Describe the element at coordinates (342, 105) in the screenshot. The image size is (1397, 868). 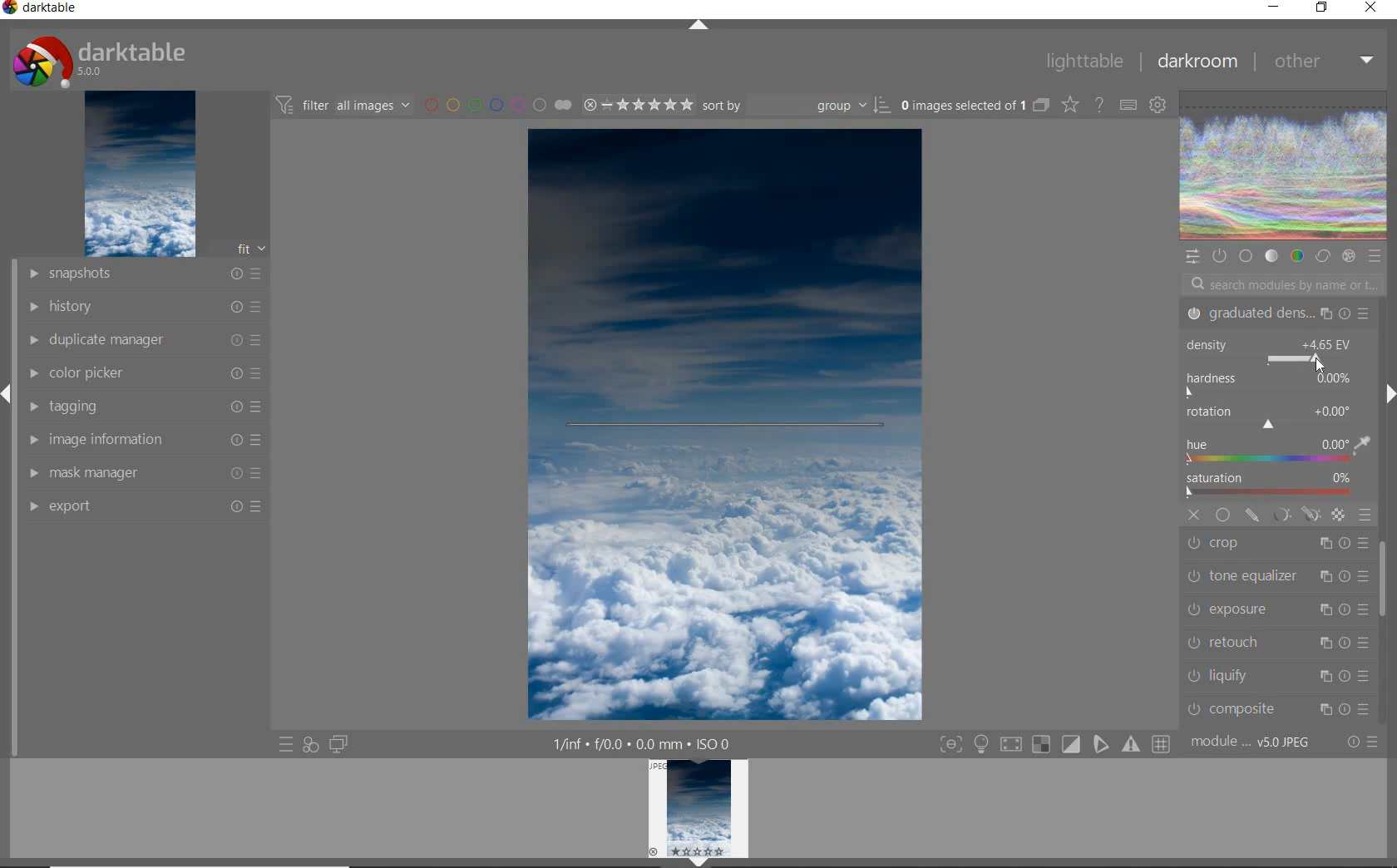
I see `FILTER ALL IMAGES` at that location.